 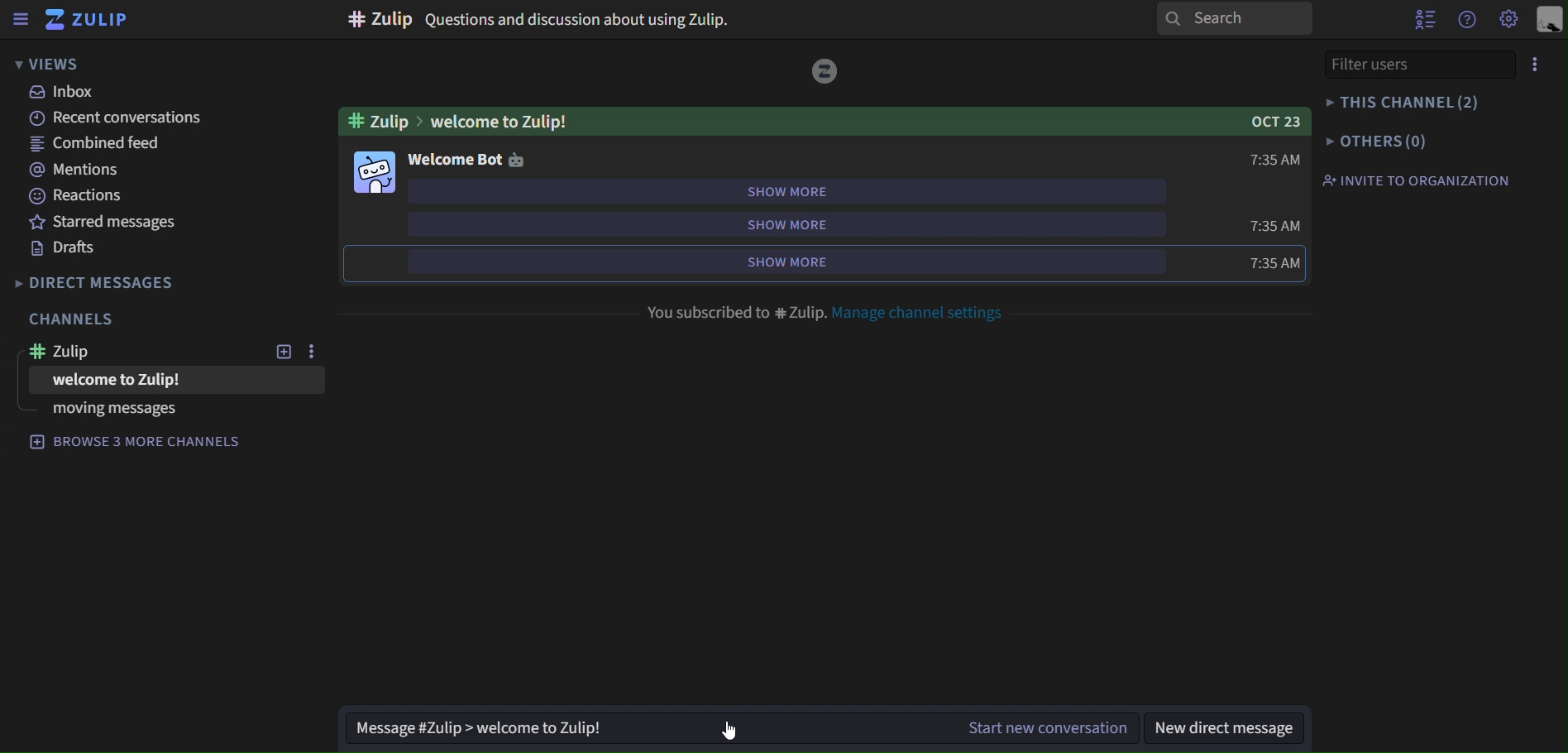 I want to click on direct messages, so click(x=97, y=282).